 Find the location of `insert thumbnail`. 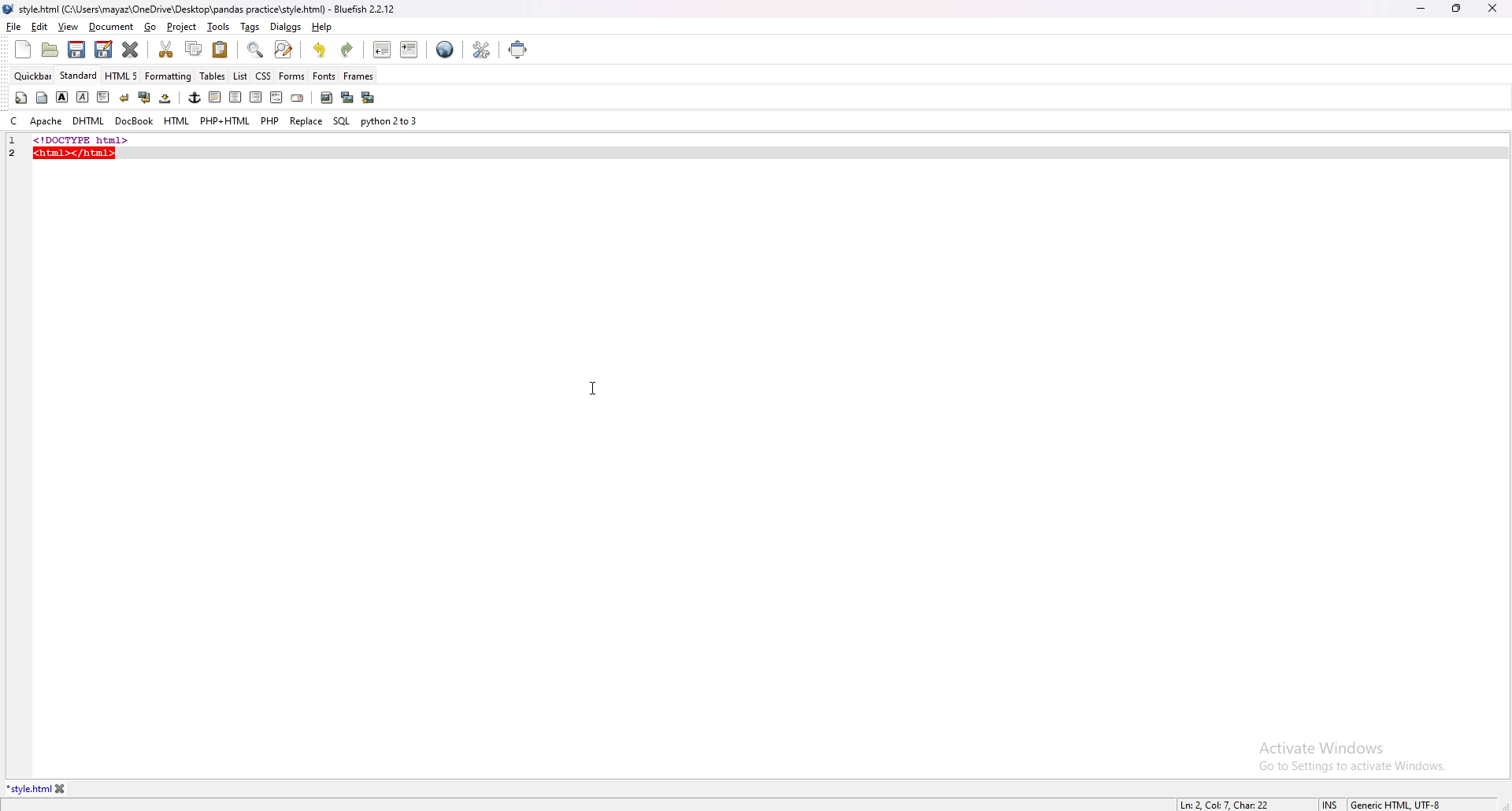

insert thumbnail is located at coordinates (346, 98).